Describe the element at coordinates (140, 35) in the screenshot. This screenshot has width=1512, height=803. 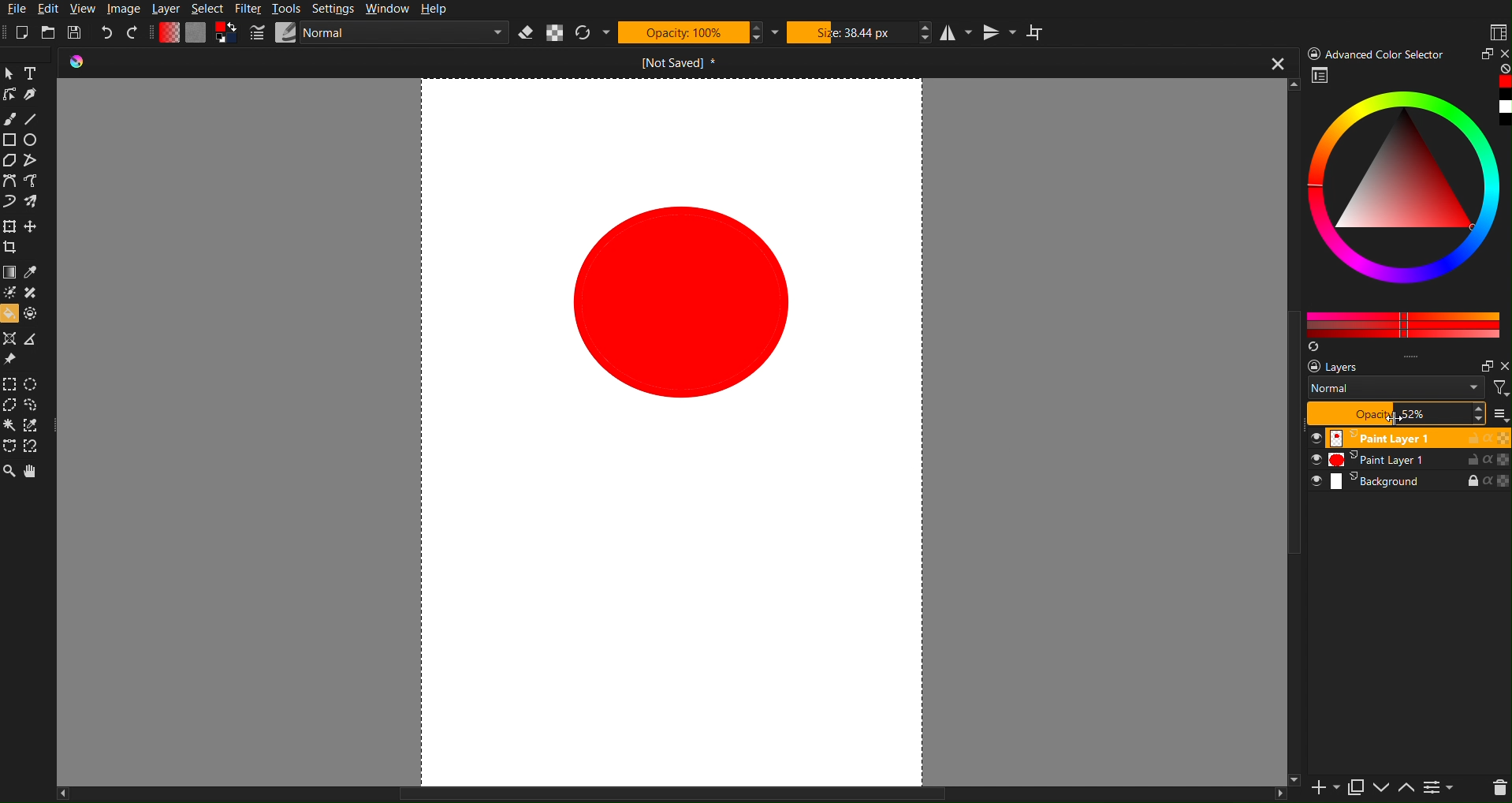
I see `Redo` at that location.